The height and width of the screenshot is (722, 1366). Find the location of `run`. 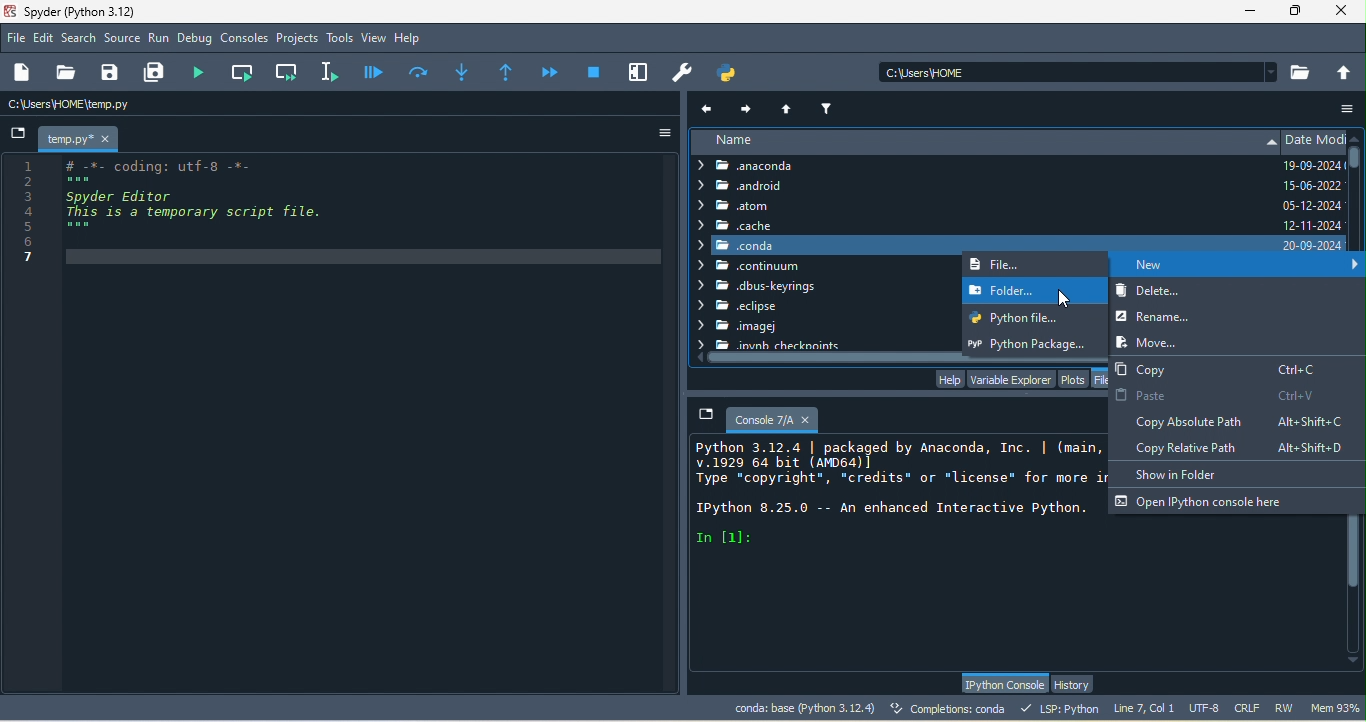

run is located at coordinates (159, 39).